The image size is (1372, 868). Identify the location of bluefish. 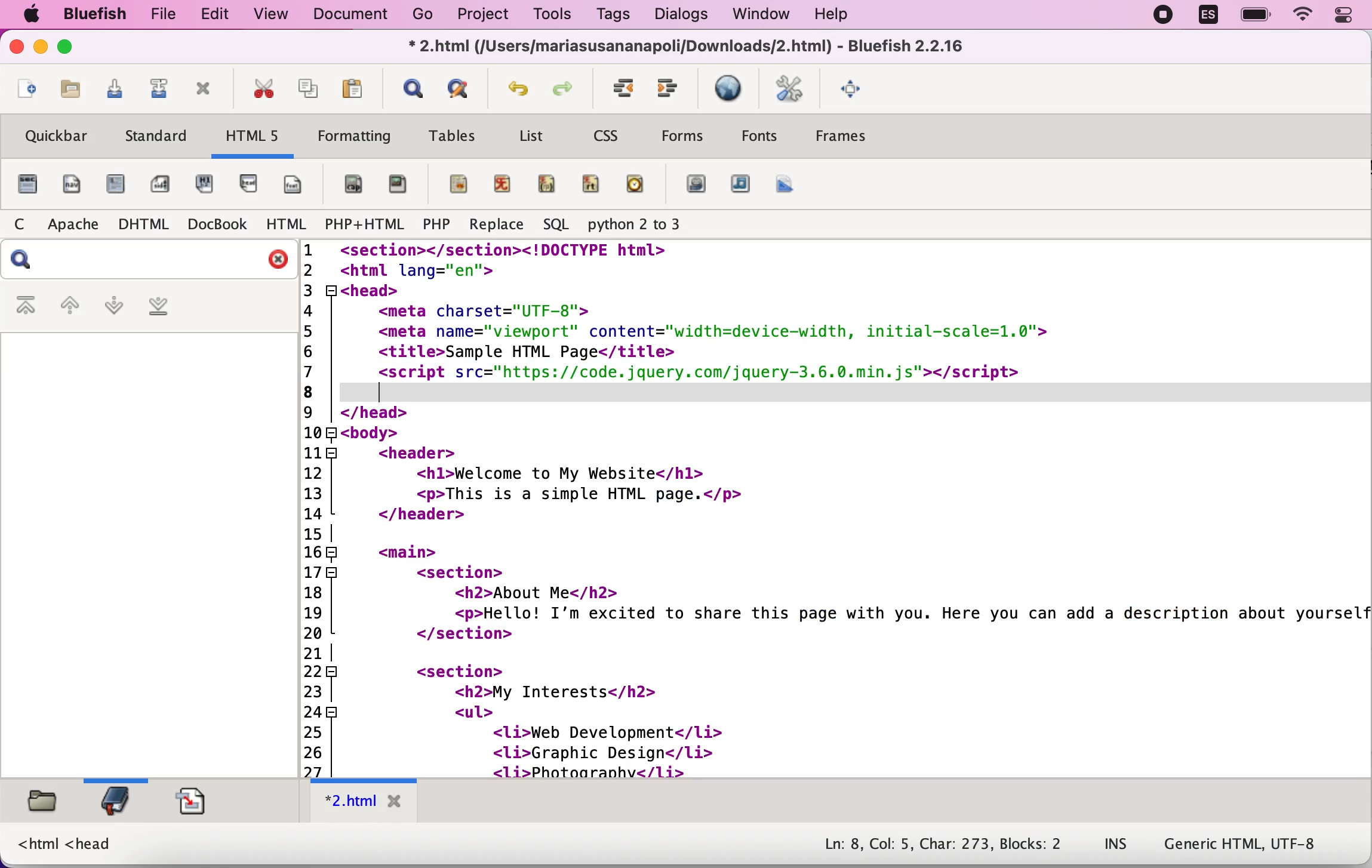
(96, 15).